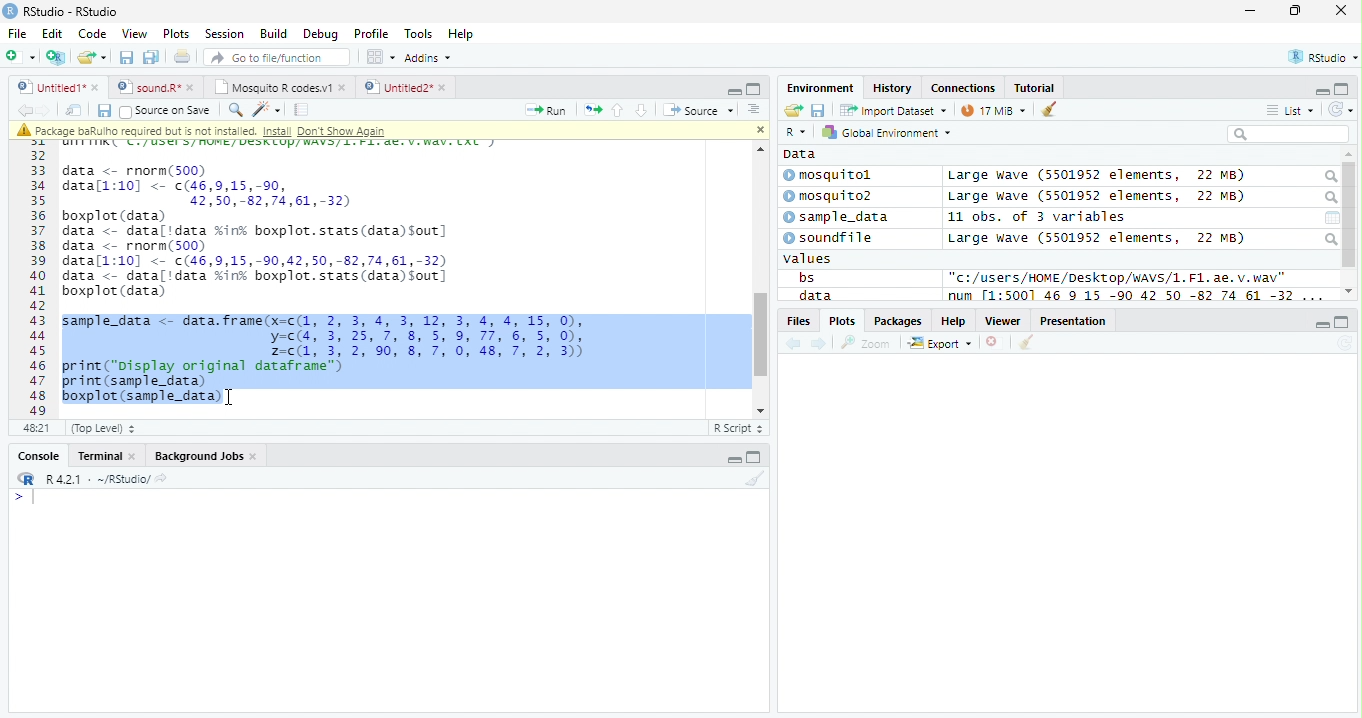  What do you see at coordinates (820, 345) in the screenshot?
I see `go forward` at bounding box center [820, 345].